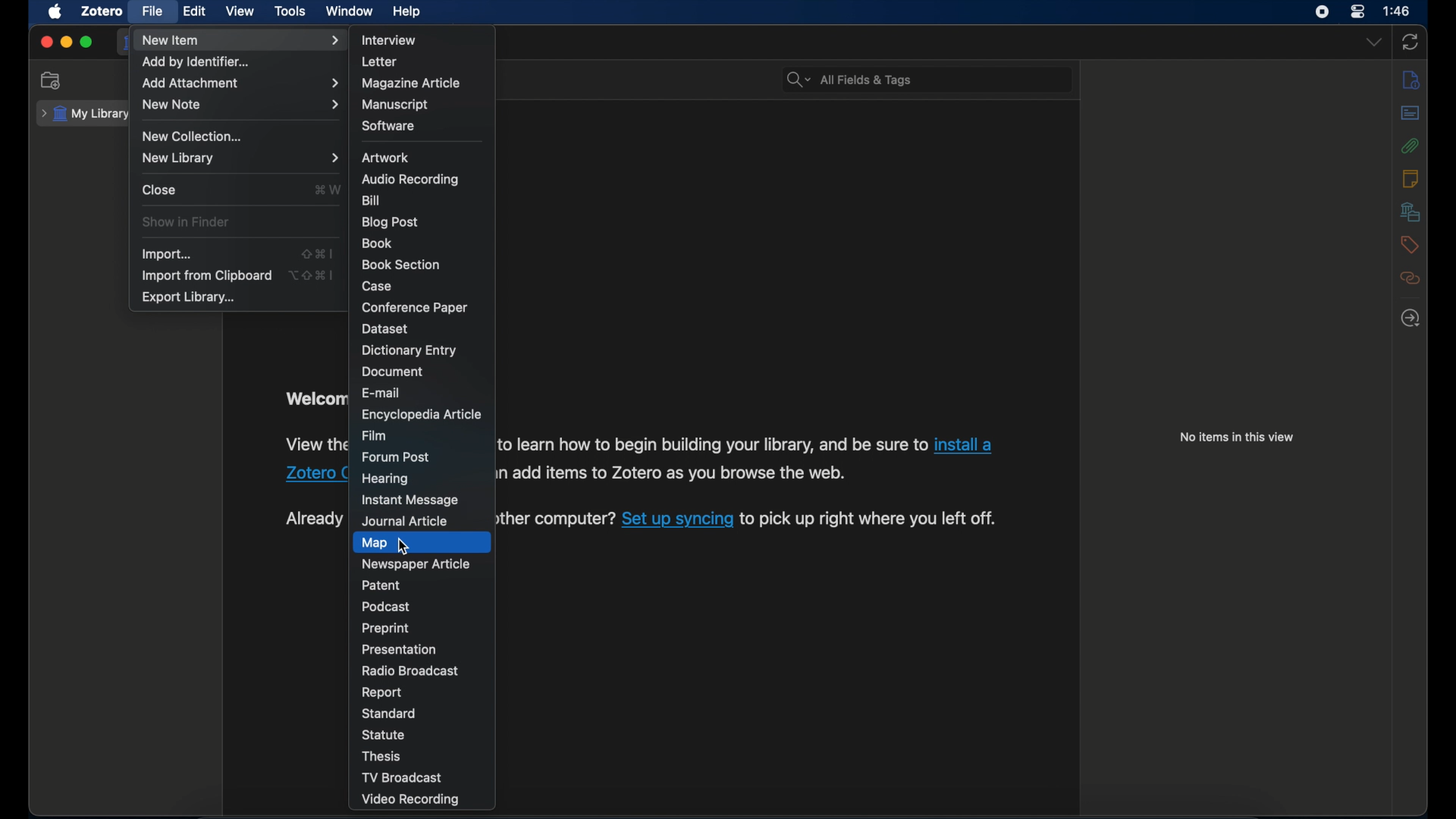 The width and height of the screenshot is (1456, 819). Describe the element at coordinates (54, 12) in the screenshot. I see `apple` at that location.